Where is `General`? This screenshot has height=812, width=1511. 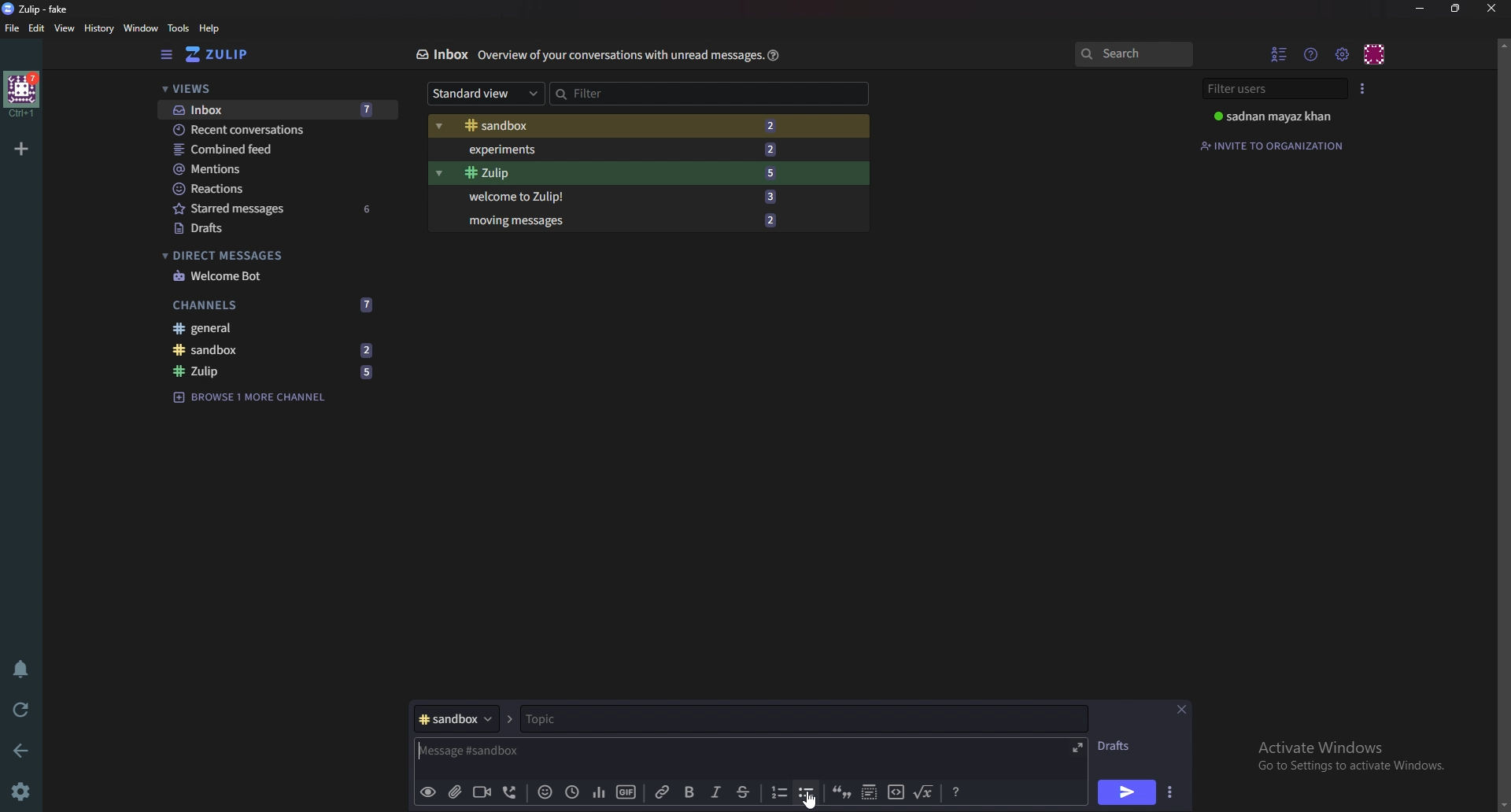
General is located at coordinates (268, 327).